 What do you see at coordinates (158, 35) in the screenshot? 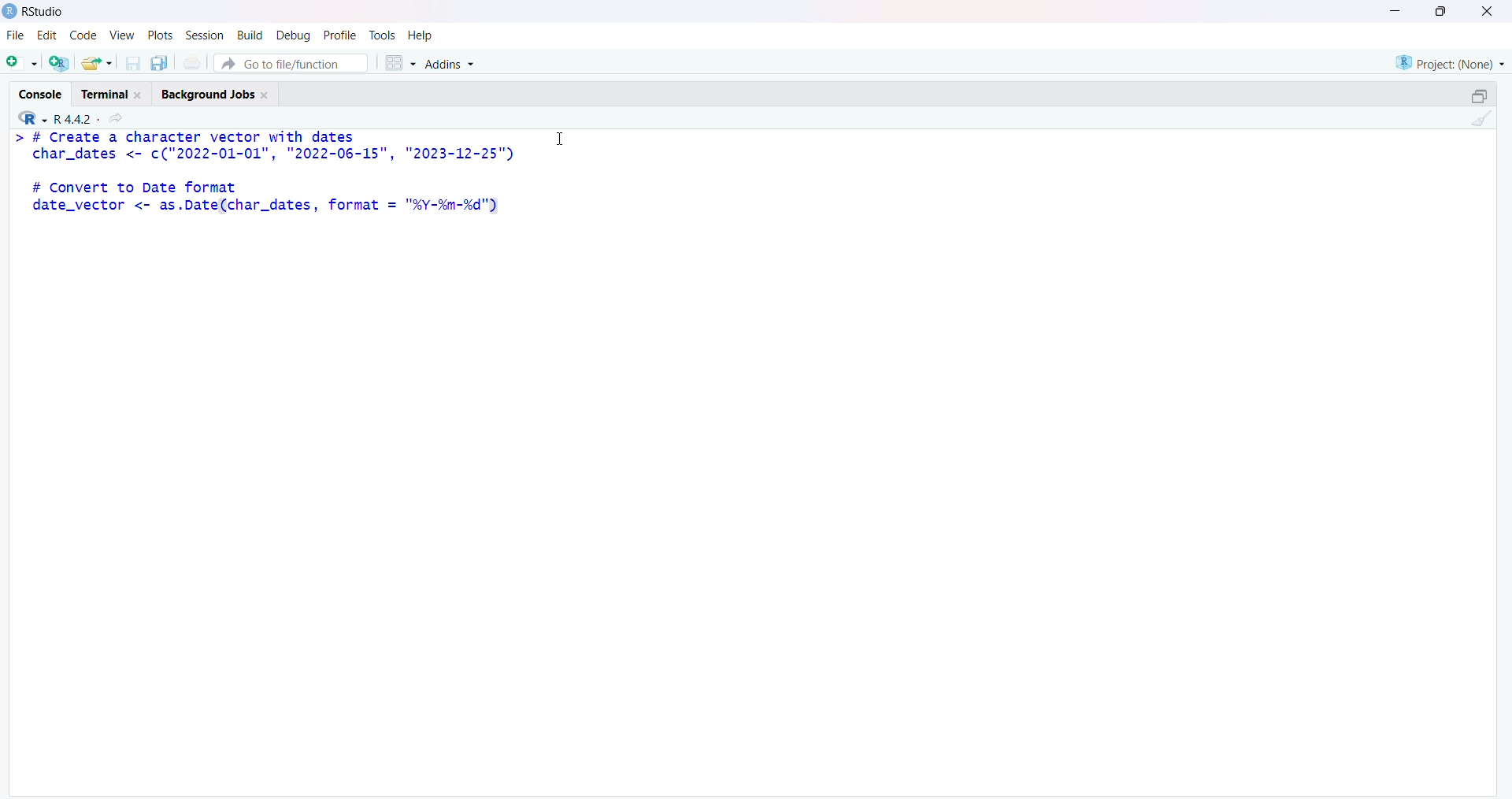
I see `Plots` at bounding box center [158, 35].